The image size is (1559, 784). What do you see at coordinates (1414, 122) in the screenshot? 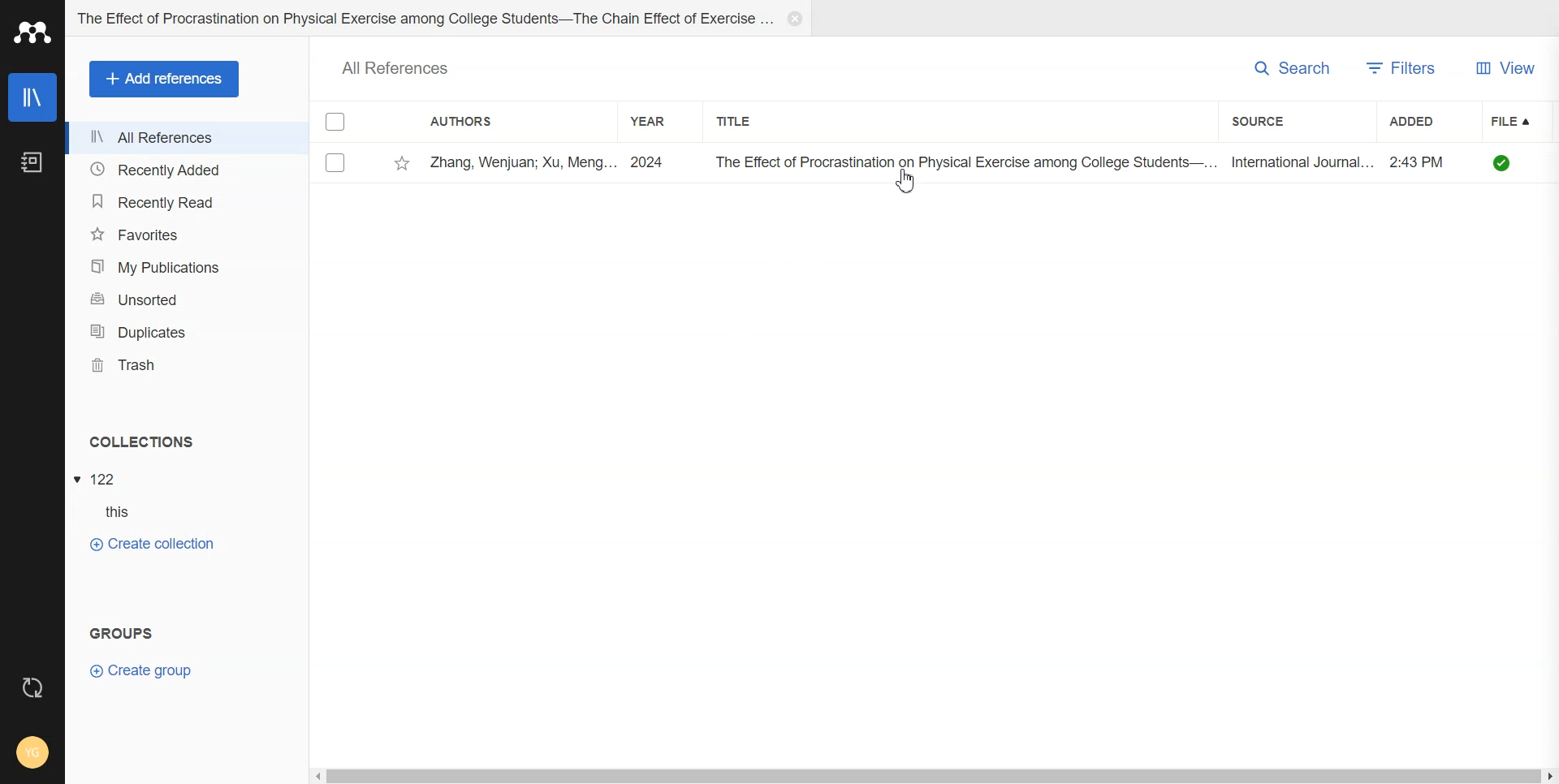
I see `Added` at bounding box center [1414, 122].